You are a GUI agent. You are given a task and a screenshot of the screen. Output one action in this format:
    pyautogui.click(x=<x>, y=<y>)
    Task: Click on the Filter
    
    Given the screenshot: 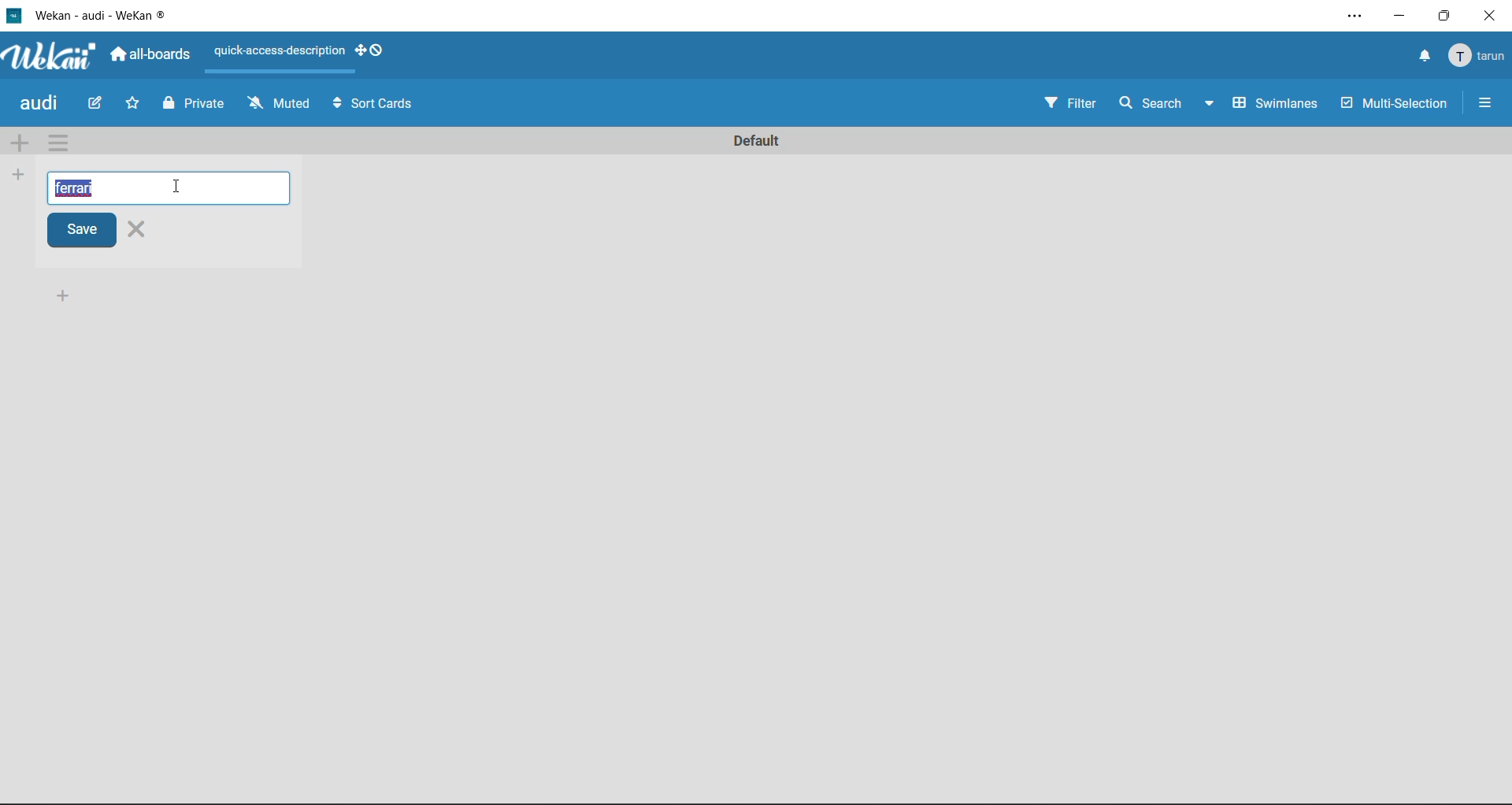 What is the action you would take?
    pyautogui.click(x=1069, y=103)
    